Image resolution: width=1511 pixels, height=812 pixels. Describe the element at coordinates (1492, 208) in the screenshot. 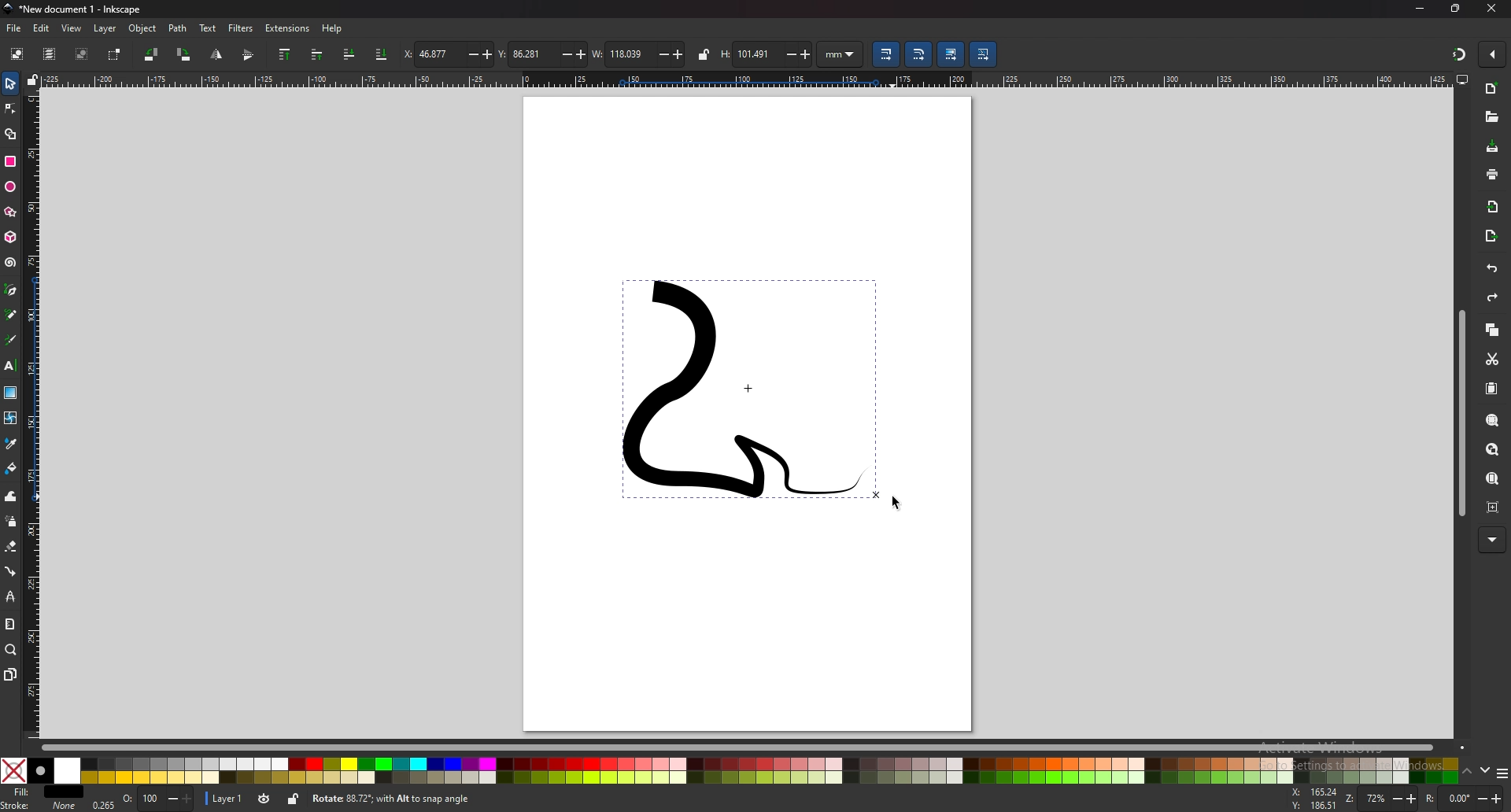

I see `import` at that location.